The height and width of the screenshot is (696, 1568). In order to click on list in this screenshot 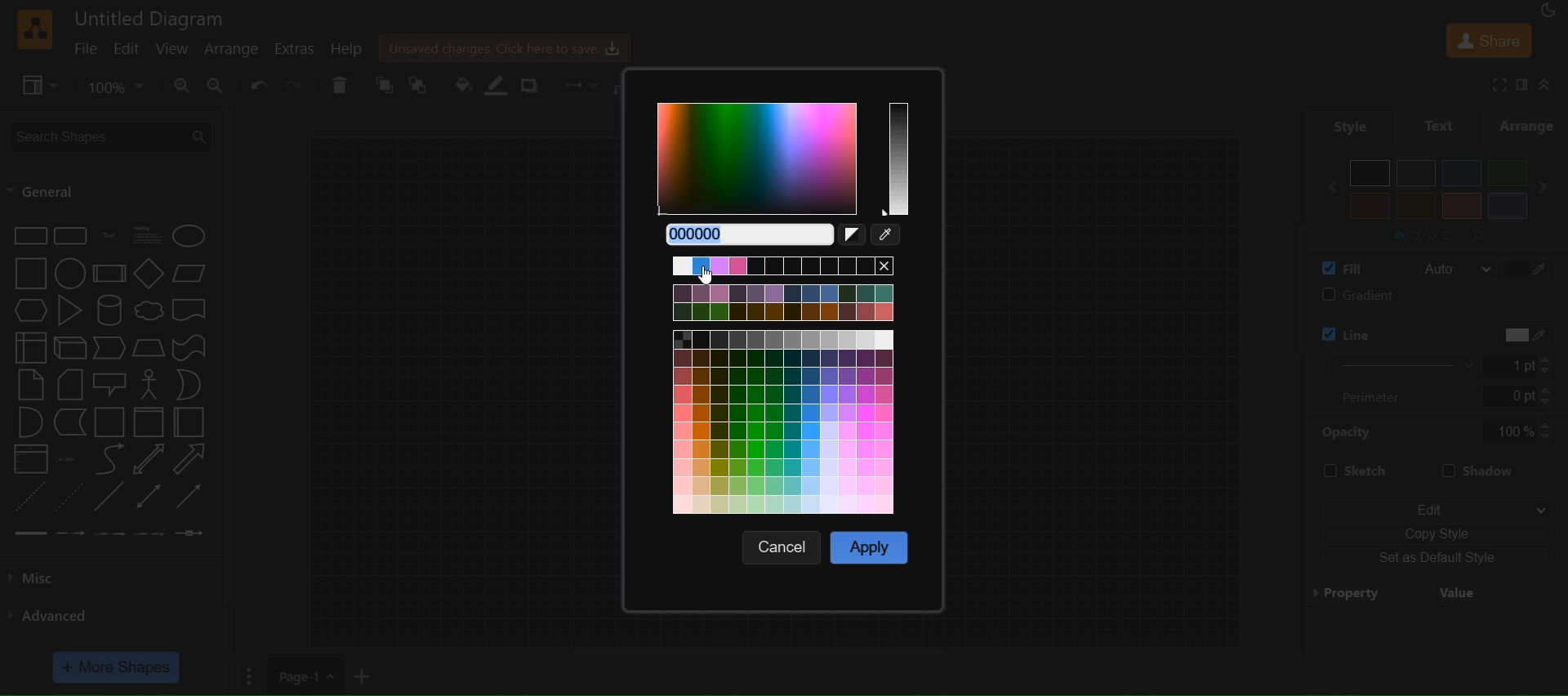, I will do `click(29, 461)`.